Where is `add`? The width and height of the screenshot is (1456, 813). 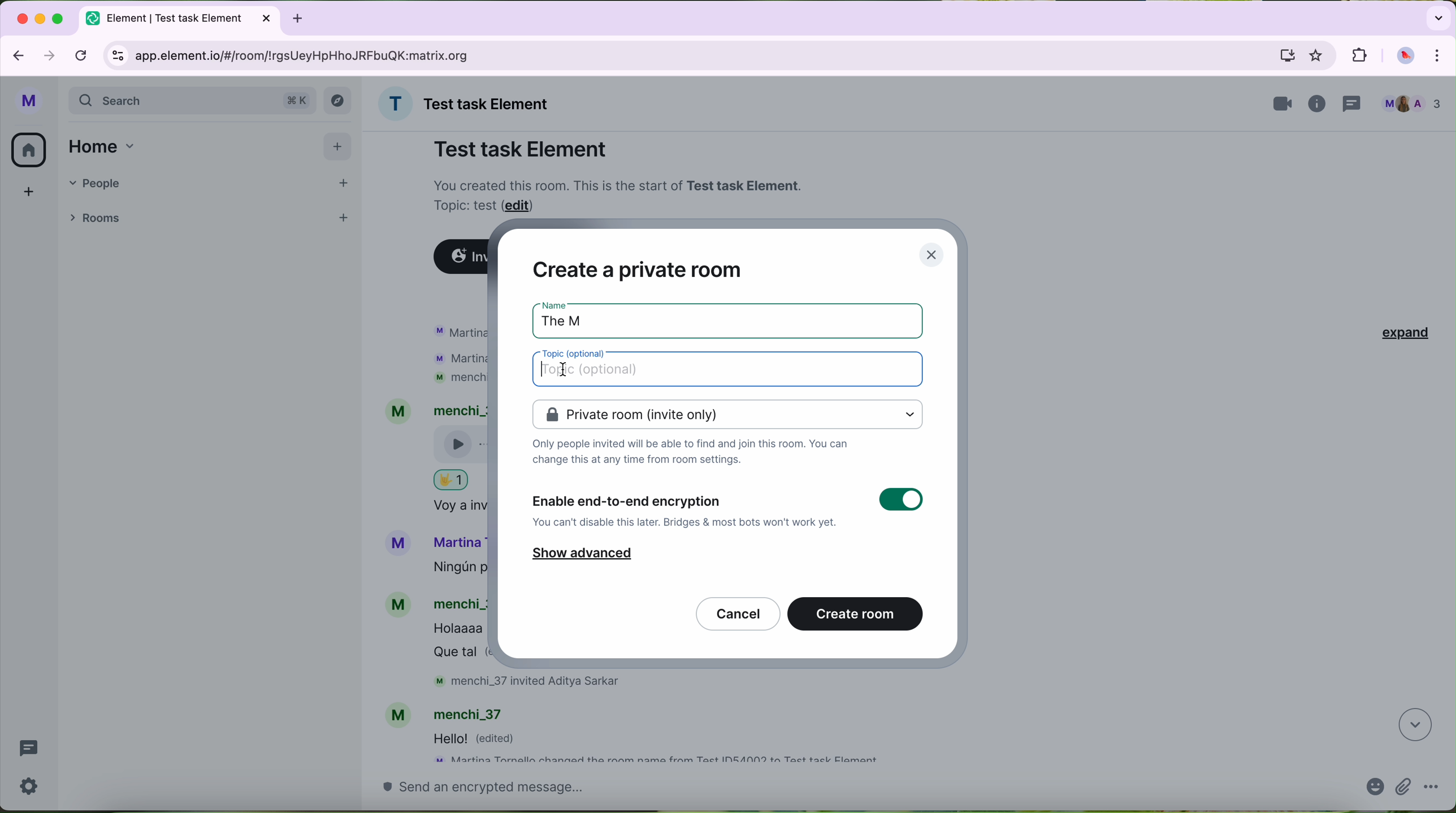 add is located at coordinates (24, 197).